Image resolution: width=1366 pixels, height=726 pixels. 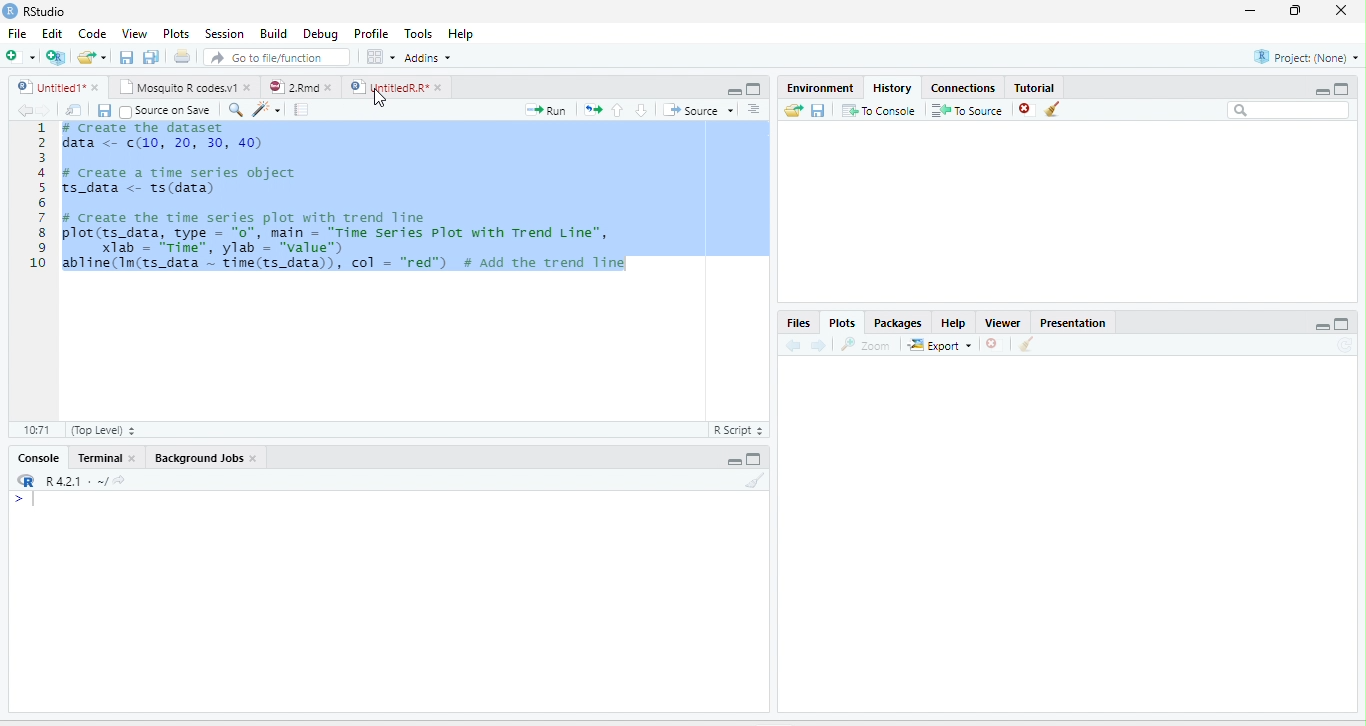 What do you see at coordinates (248, 87) in the screenshot?
I see `close` at bounding box center [248, 87].